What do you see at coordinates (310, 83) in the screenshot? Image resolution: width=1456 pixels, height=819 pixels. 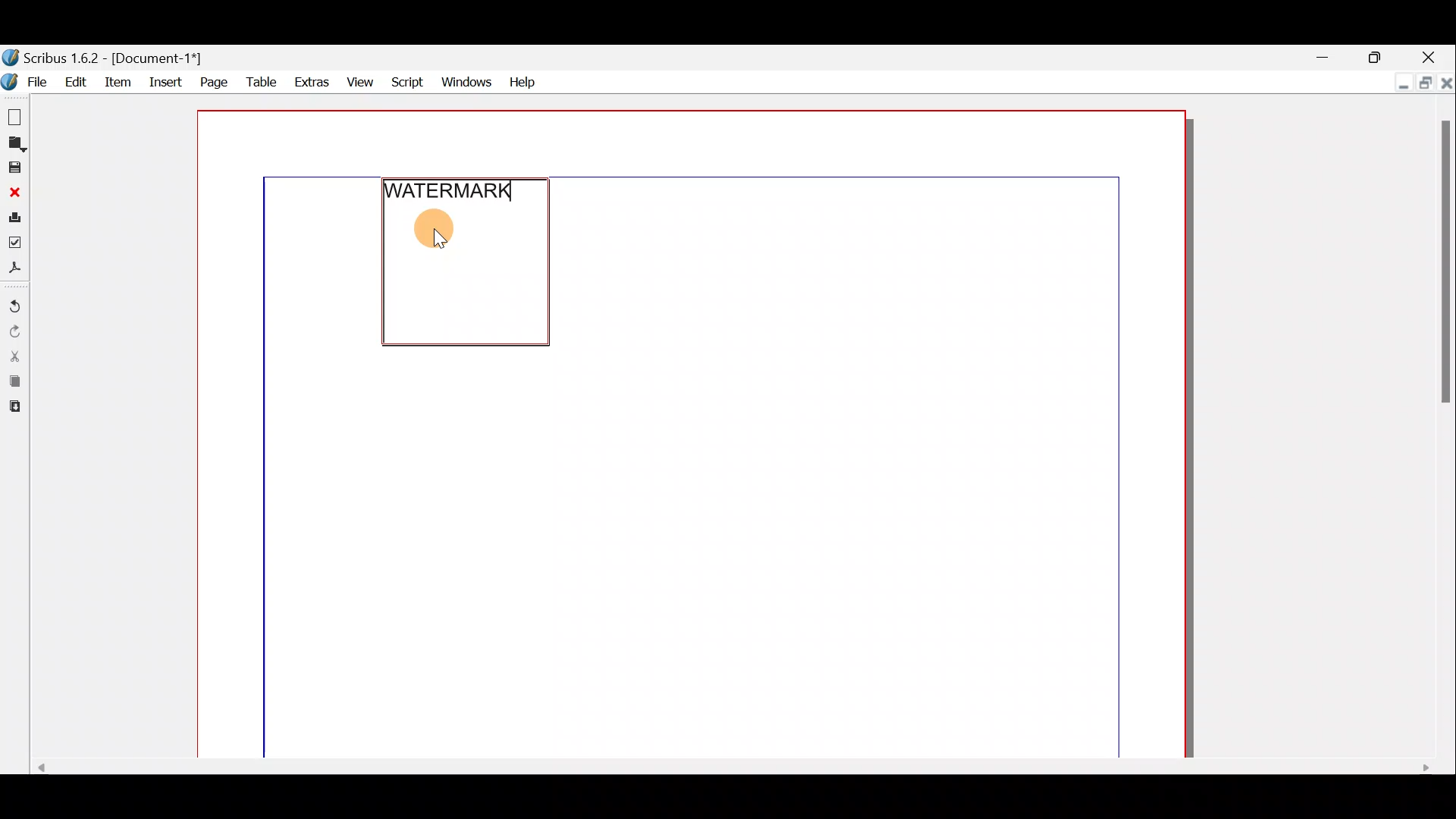 I see `Extras` at bounding box center [310, 83].